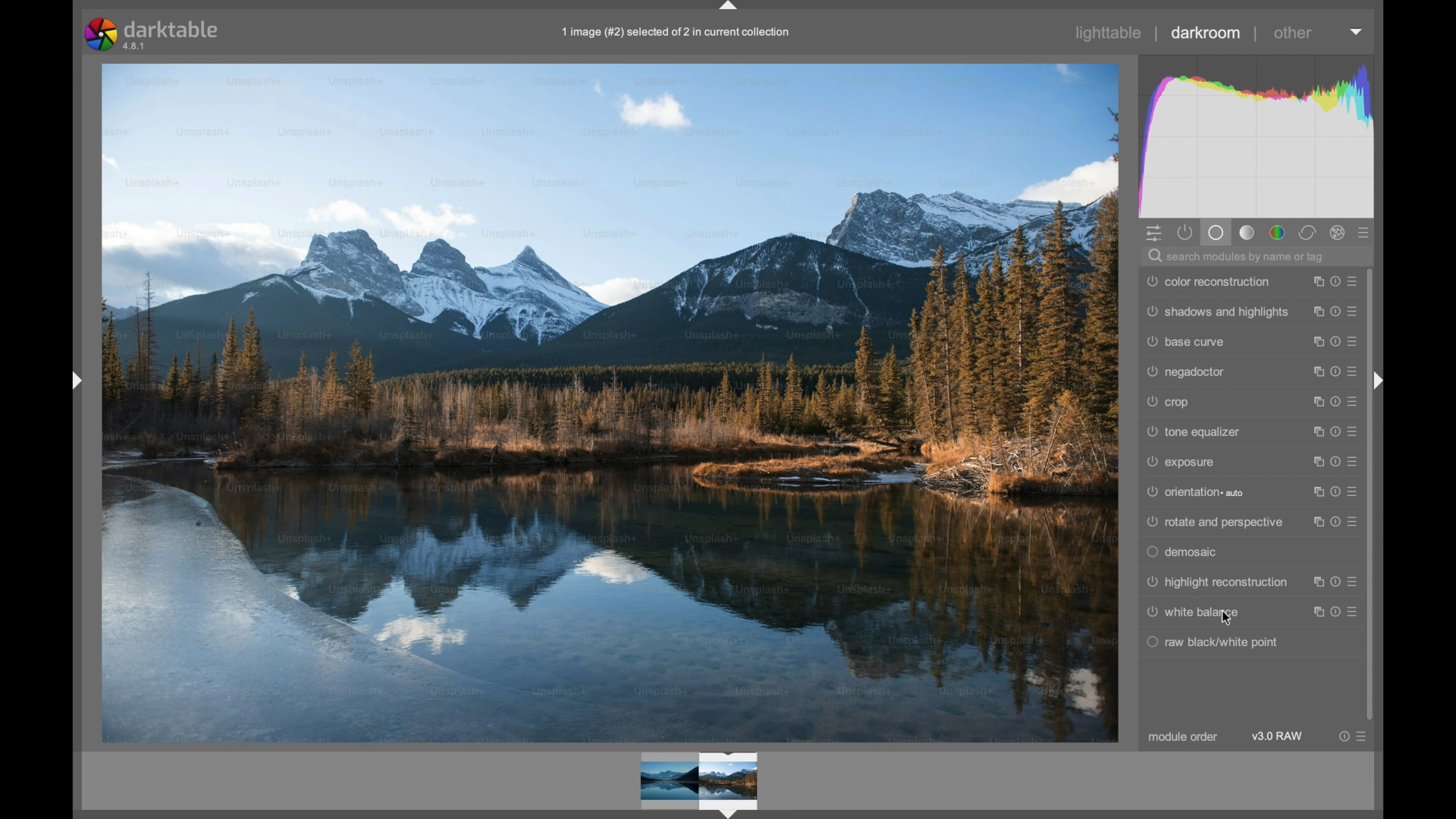 This screenshot has width=1456, height=819. I want to click on presets, so click(1357, 522).